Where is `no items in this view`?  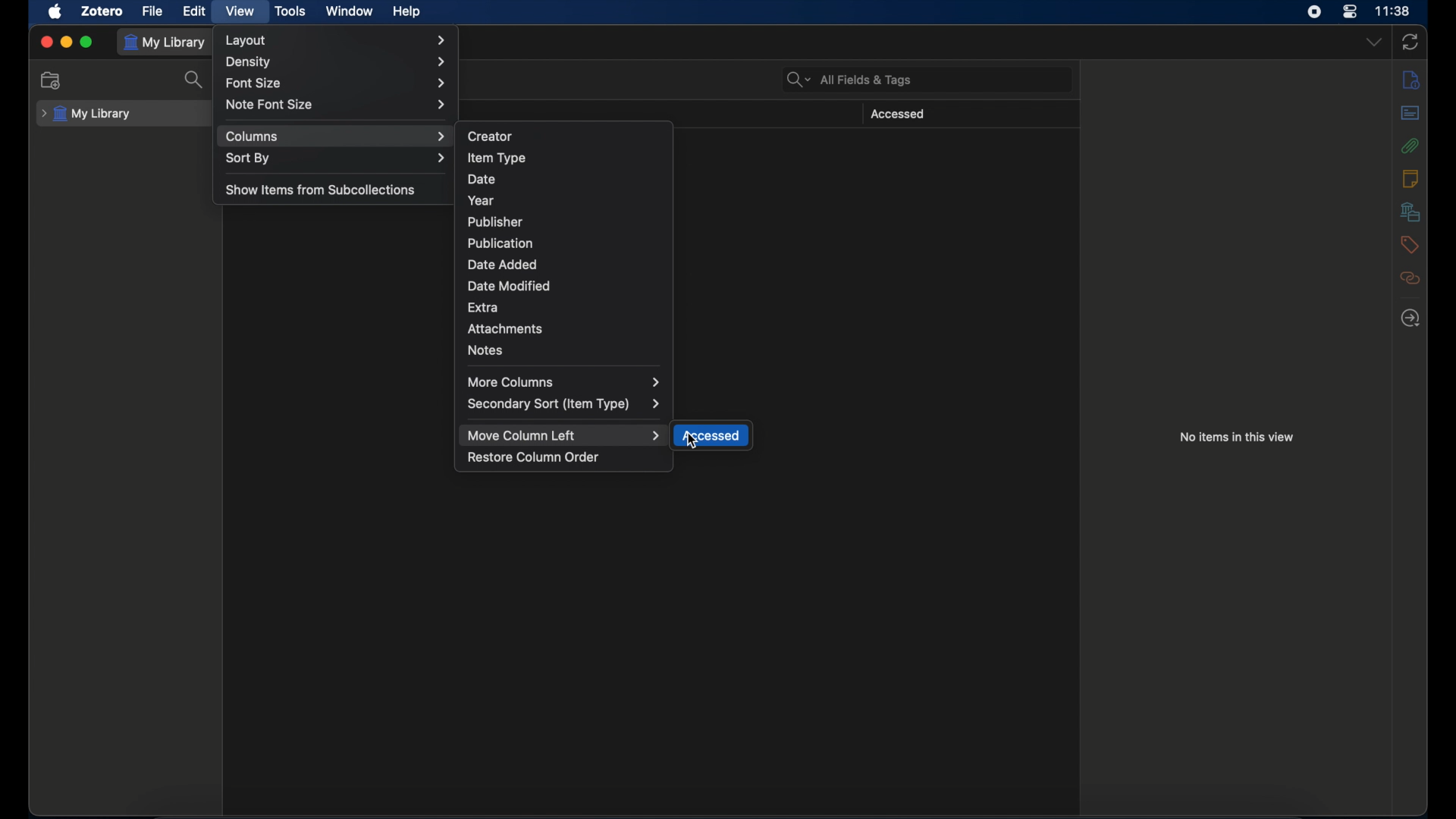
no items in this view is located at coordinates (1238, 437).